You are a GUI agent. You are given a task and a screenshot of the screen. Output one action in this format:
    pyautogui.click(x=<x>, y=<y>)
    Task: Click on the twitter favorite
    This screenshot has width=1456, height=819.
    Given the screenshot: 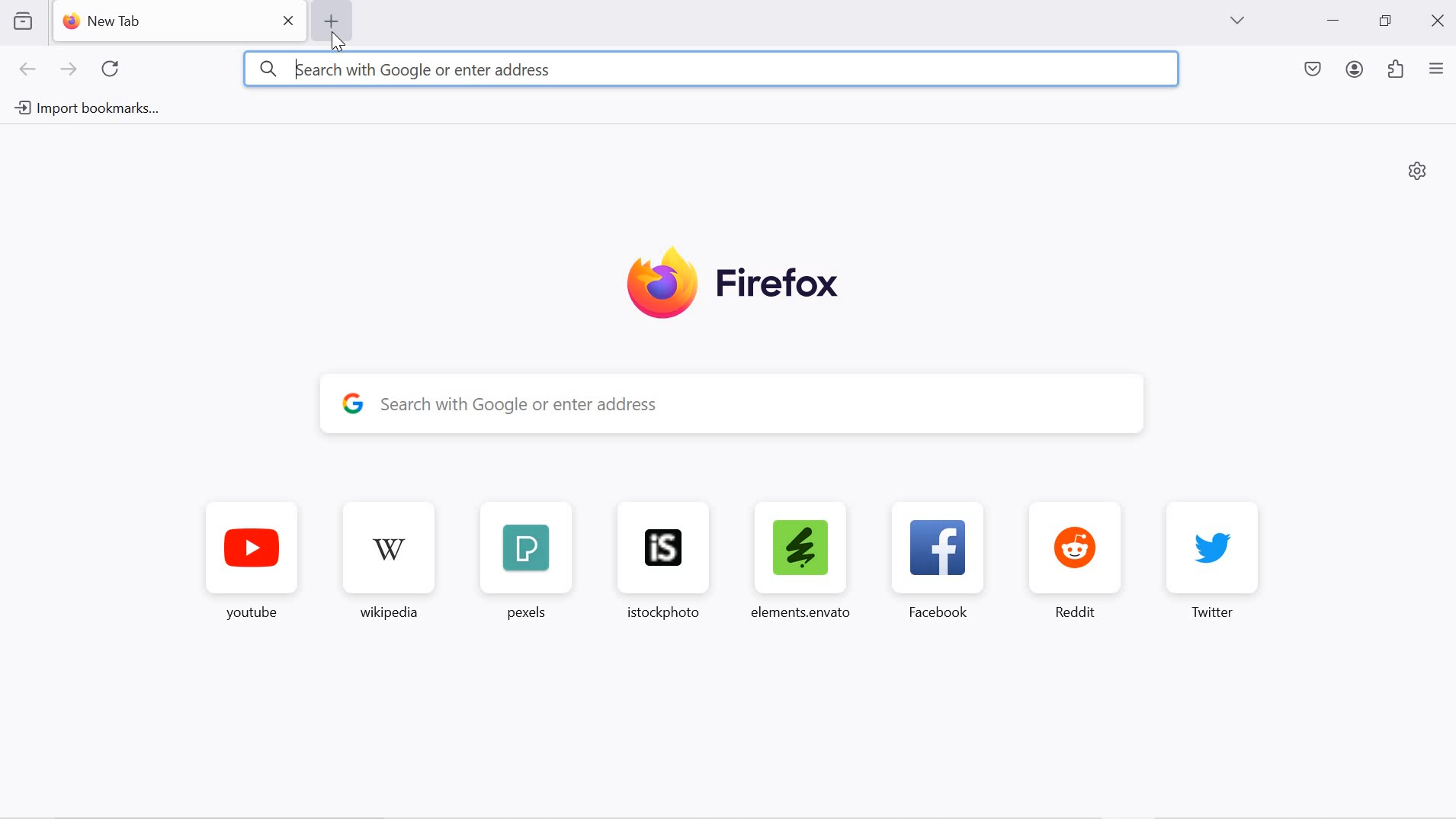 What is the action you would take?
    pyautogui.click(x=1214, y=560)
    